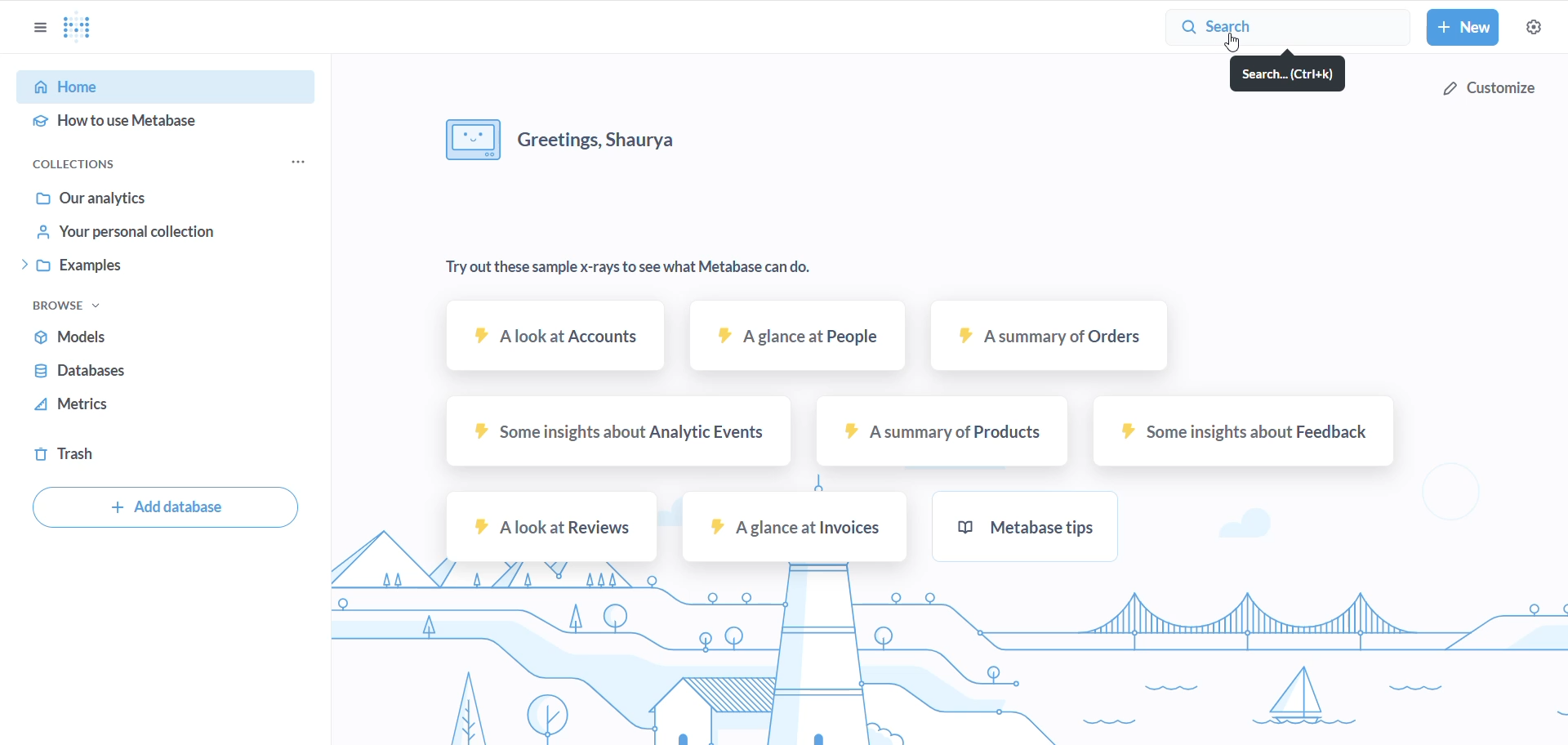 Image resolution: width=1568 pixels, height=745 pixels. I want to click on metabase tips, so click(1027, 529).